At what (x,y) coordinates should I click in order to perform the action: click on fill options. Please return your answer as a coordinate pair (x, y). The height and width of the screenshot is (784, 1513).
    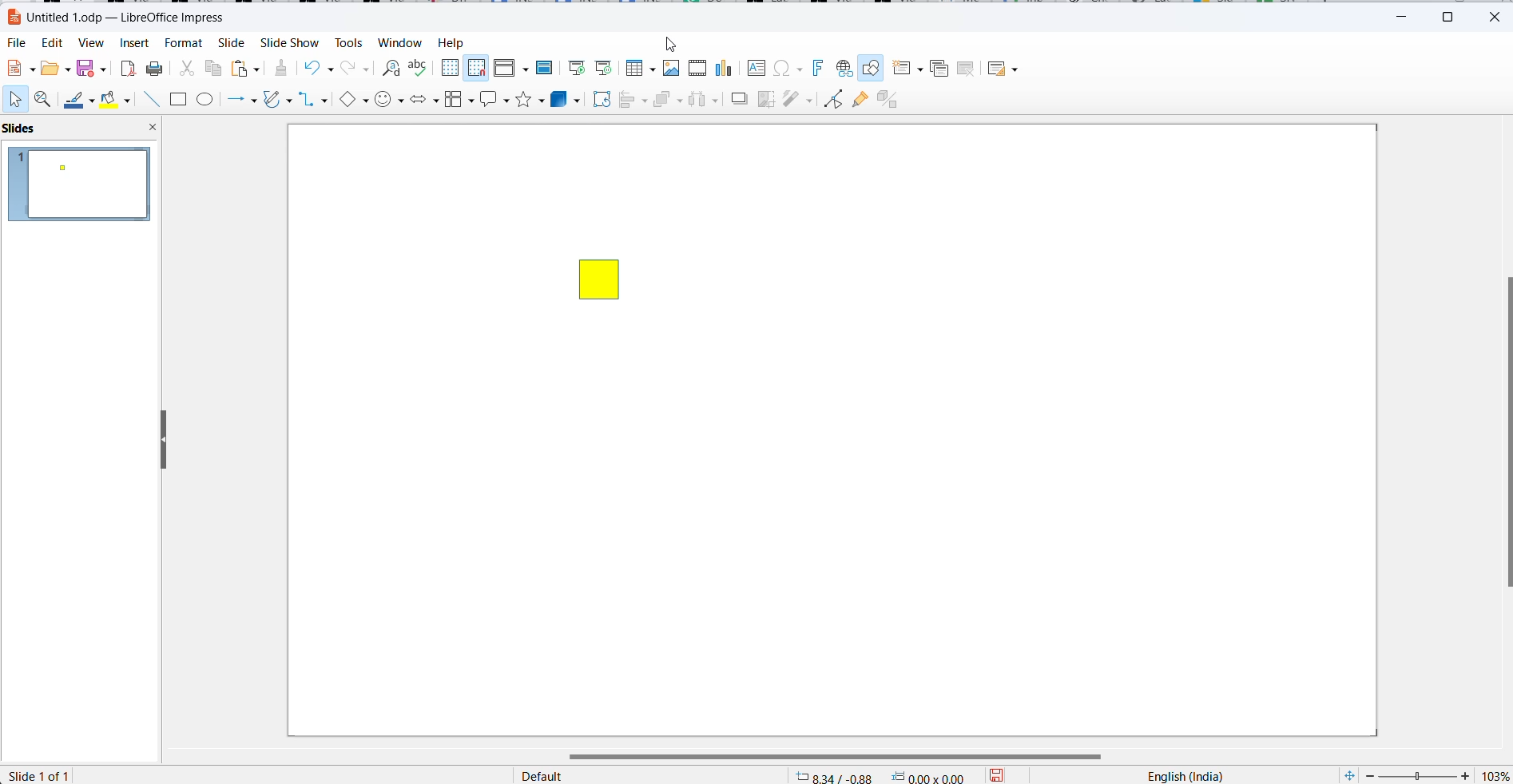
    Looking at the image, I should click on (54, 69).